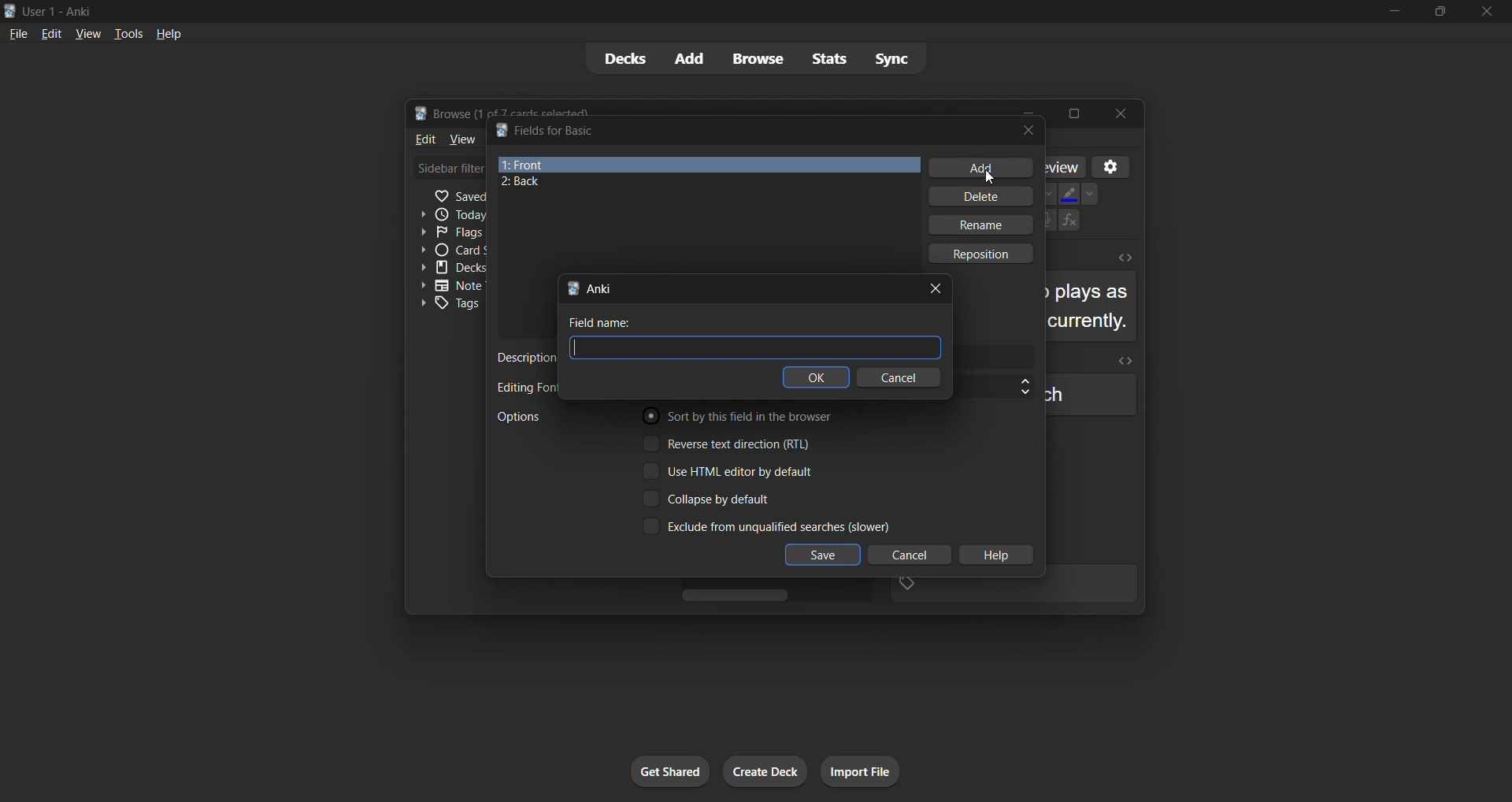  What do you see at coordinates (865, 770) in the screenshot?
I see `import file` at bounding box center [865, 770].